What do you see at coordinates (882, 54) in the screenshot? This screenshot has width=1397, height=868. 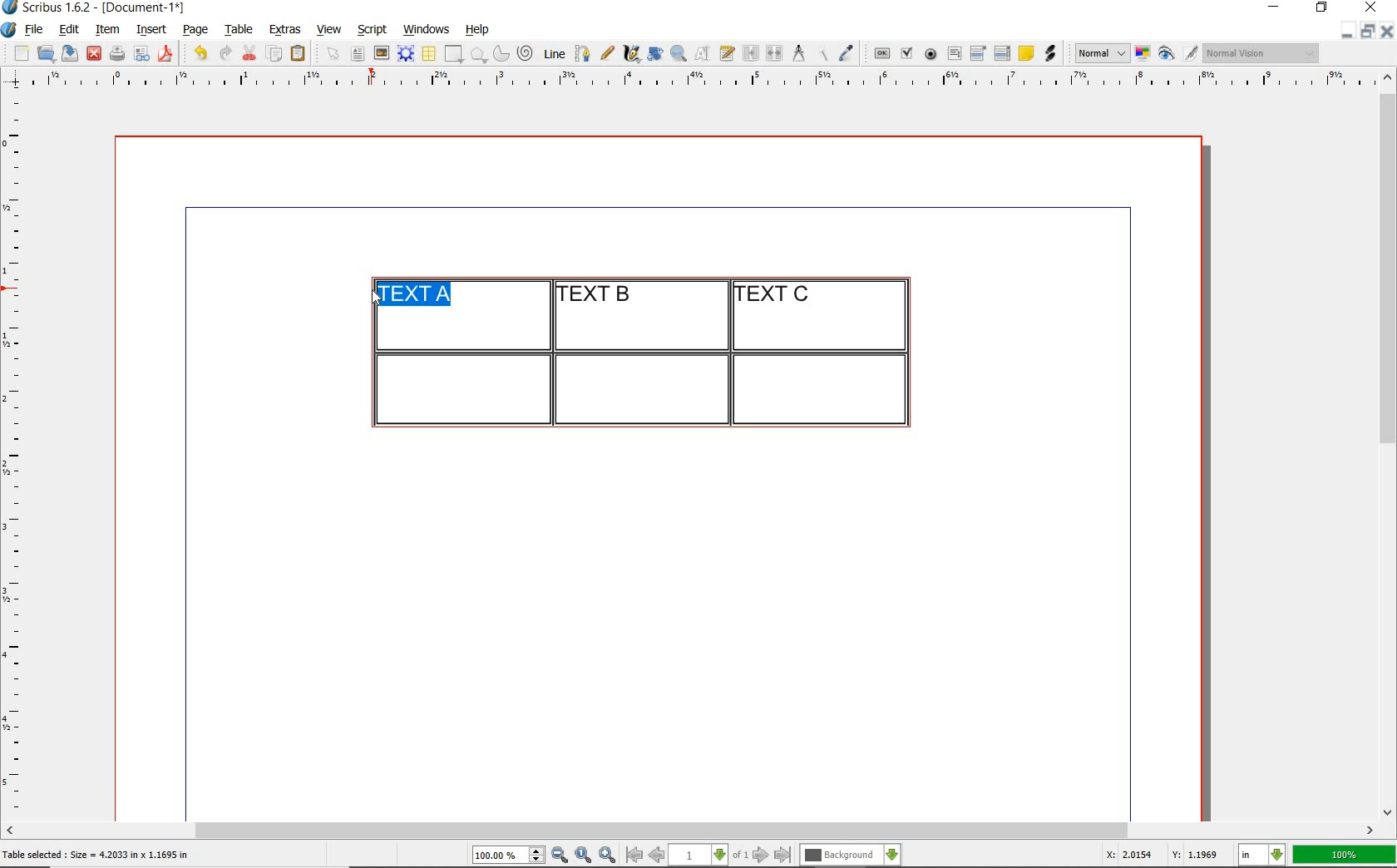 I see `pdf push button` at bounding box center [882, 54].